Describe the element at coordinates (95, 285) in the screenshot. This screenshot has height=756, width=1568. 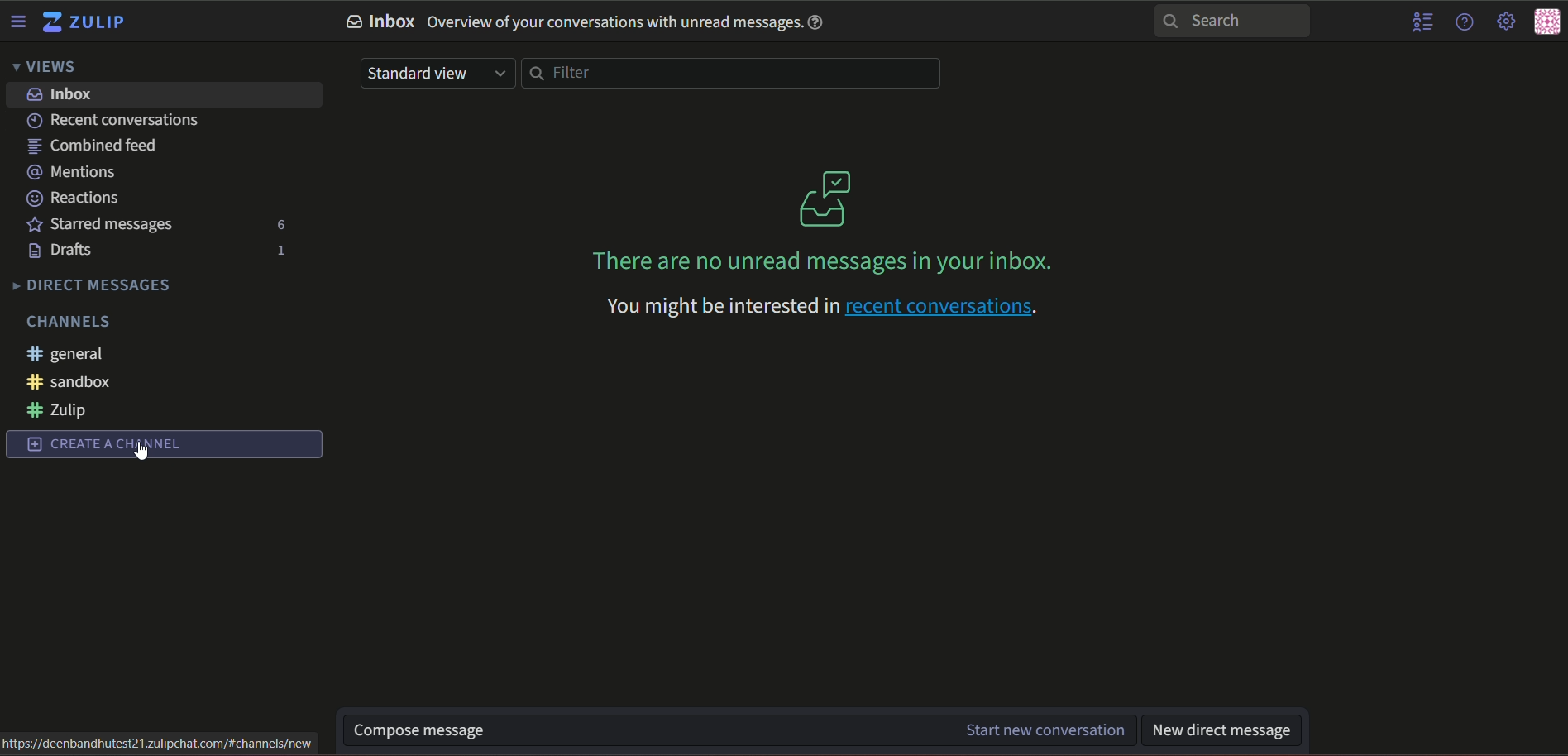
I see `direct messages` at that location.